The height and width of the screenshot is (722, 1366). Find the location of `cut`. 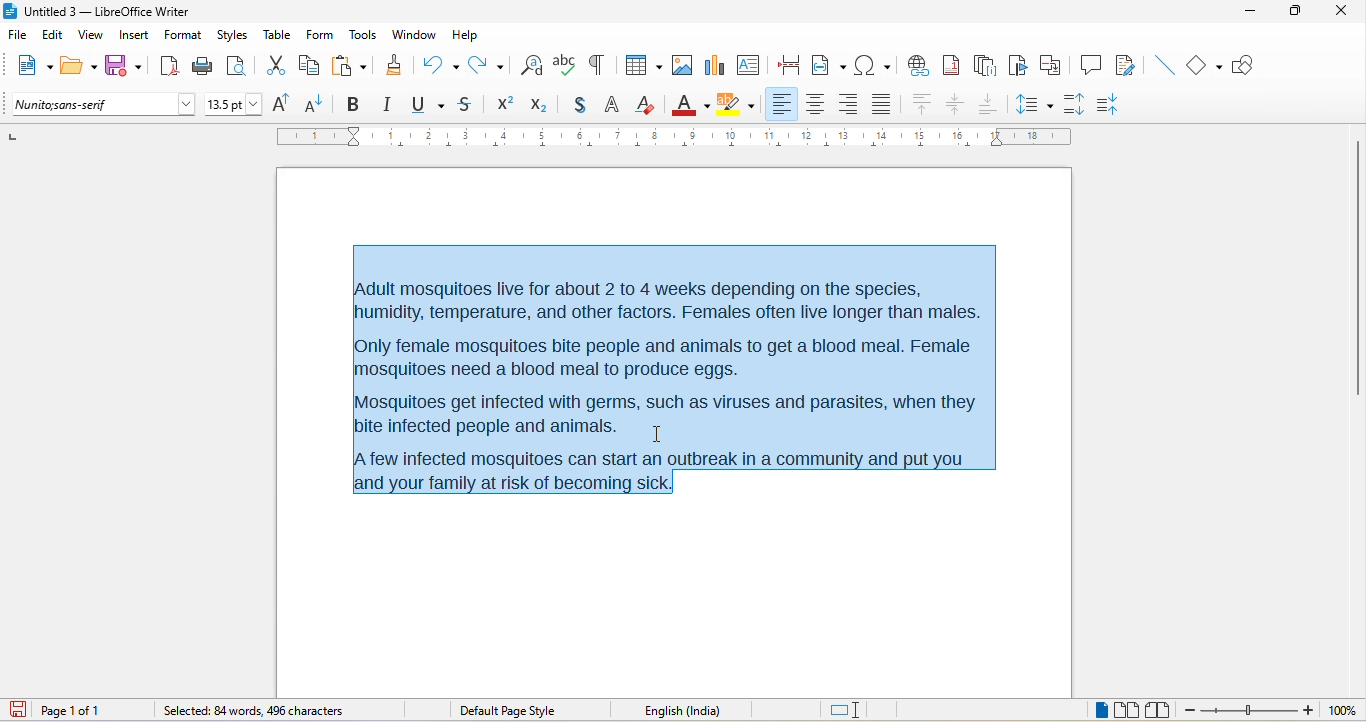

cut is located at coordinates (276, 67).